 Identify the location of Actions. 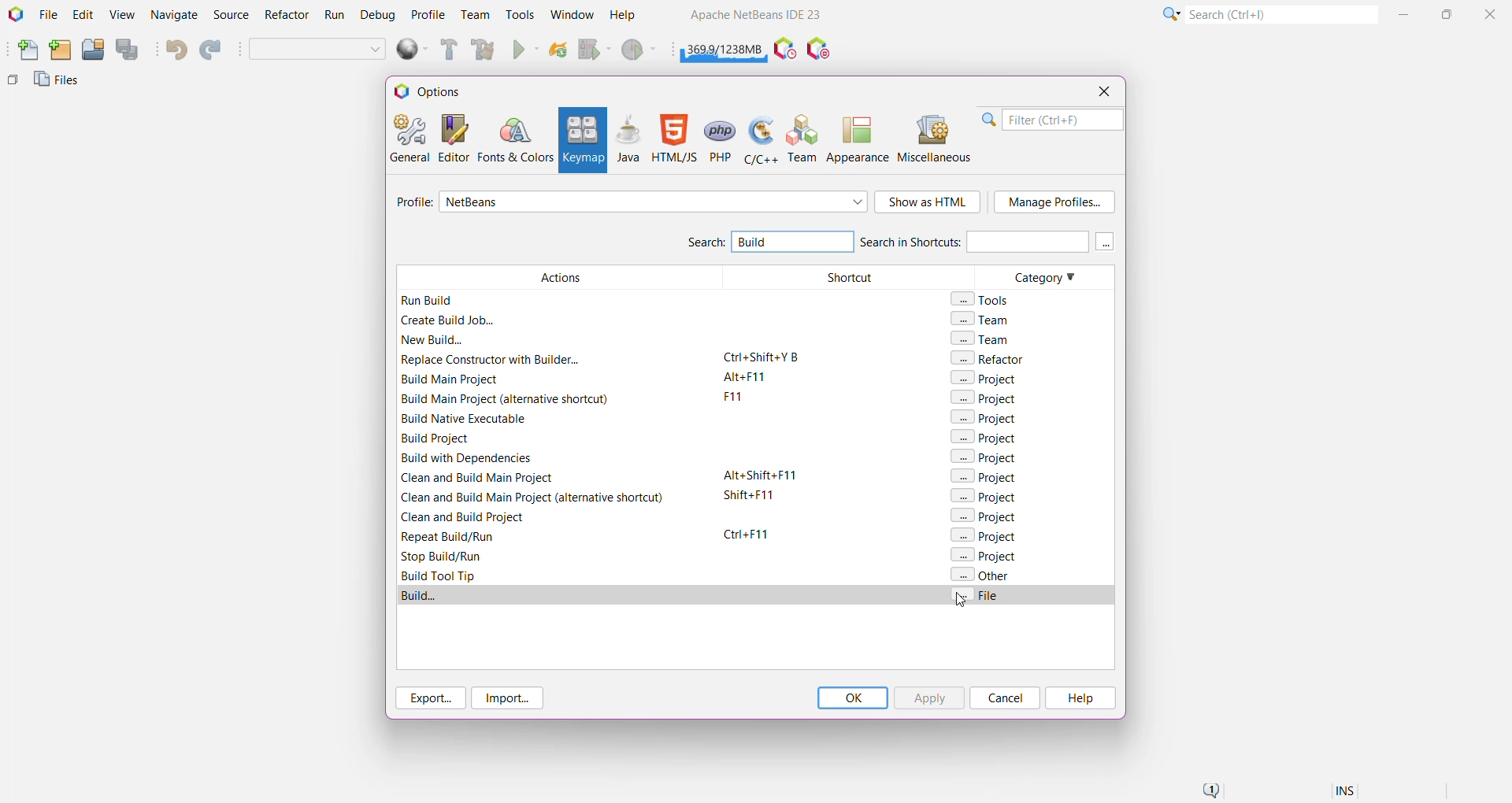
(554, 424).